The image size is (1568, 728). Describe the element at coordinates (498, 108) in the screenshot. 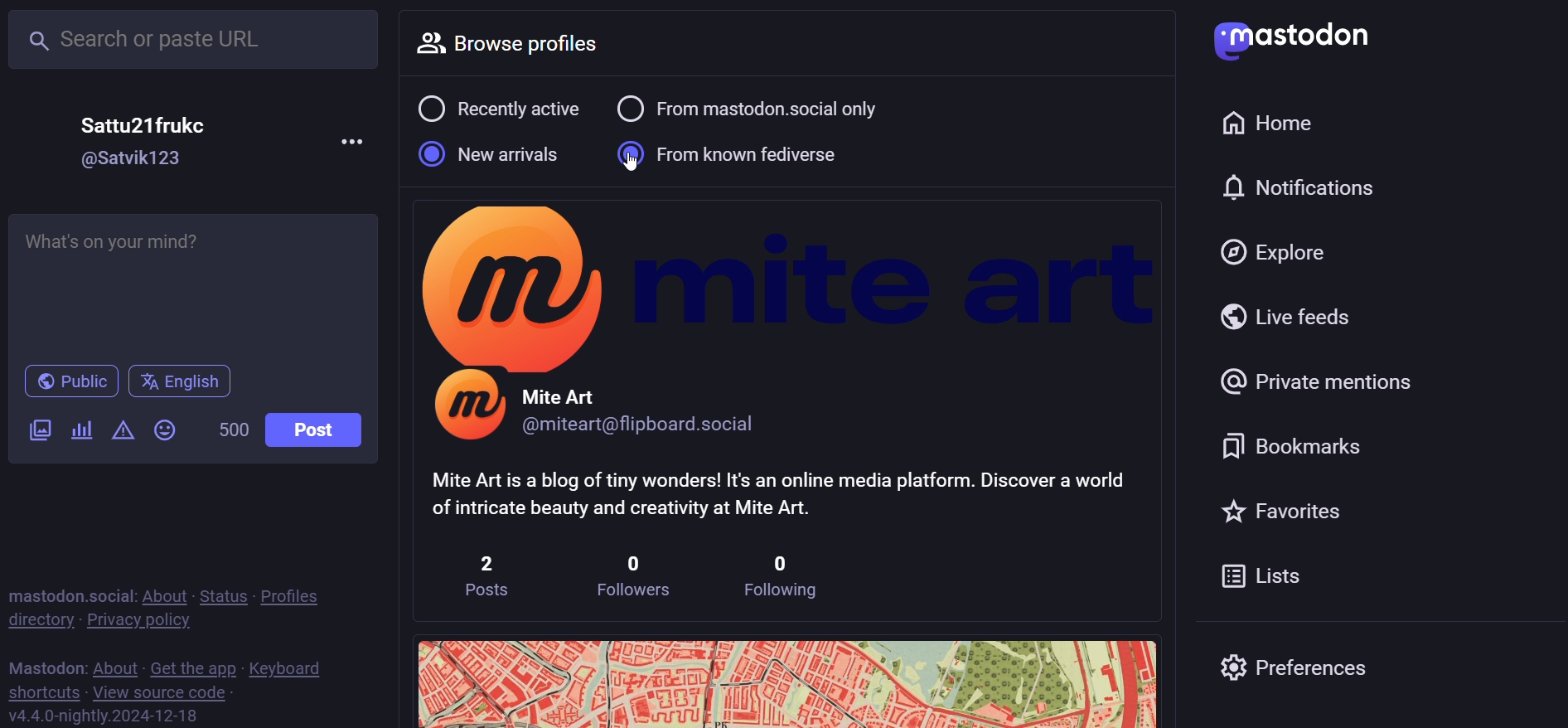

I see `recently active` at that location.